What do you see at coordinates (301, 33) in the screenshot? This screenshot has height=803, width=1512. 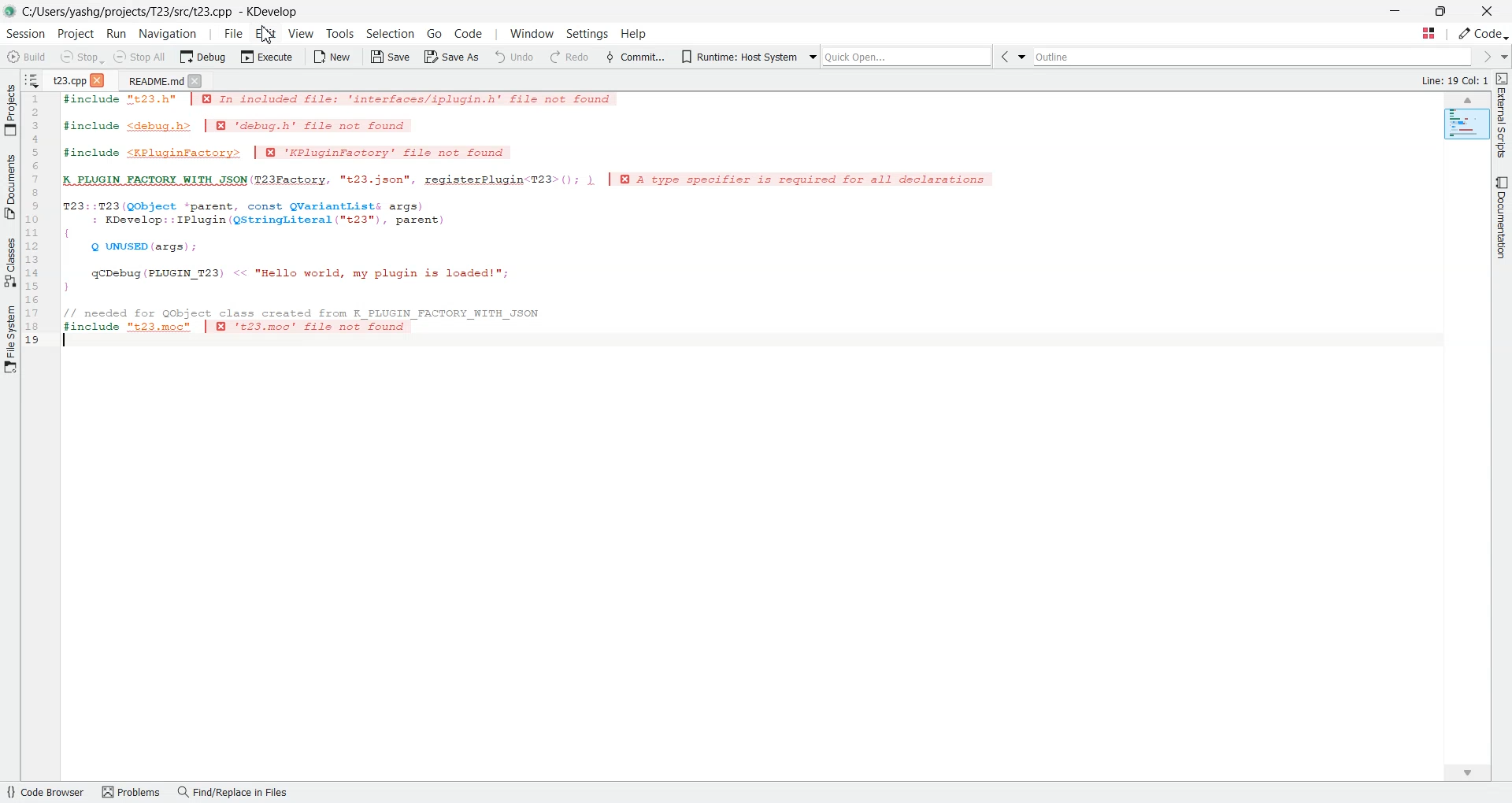 I see `View` at bounding box center [301, 33].